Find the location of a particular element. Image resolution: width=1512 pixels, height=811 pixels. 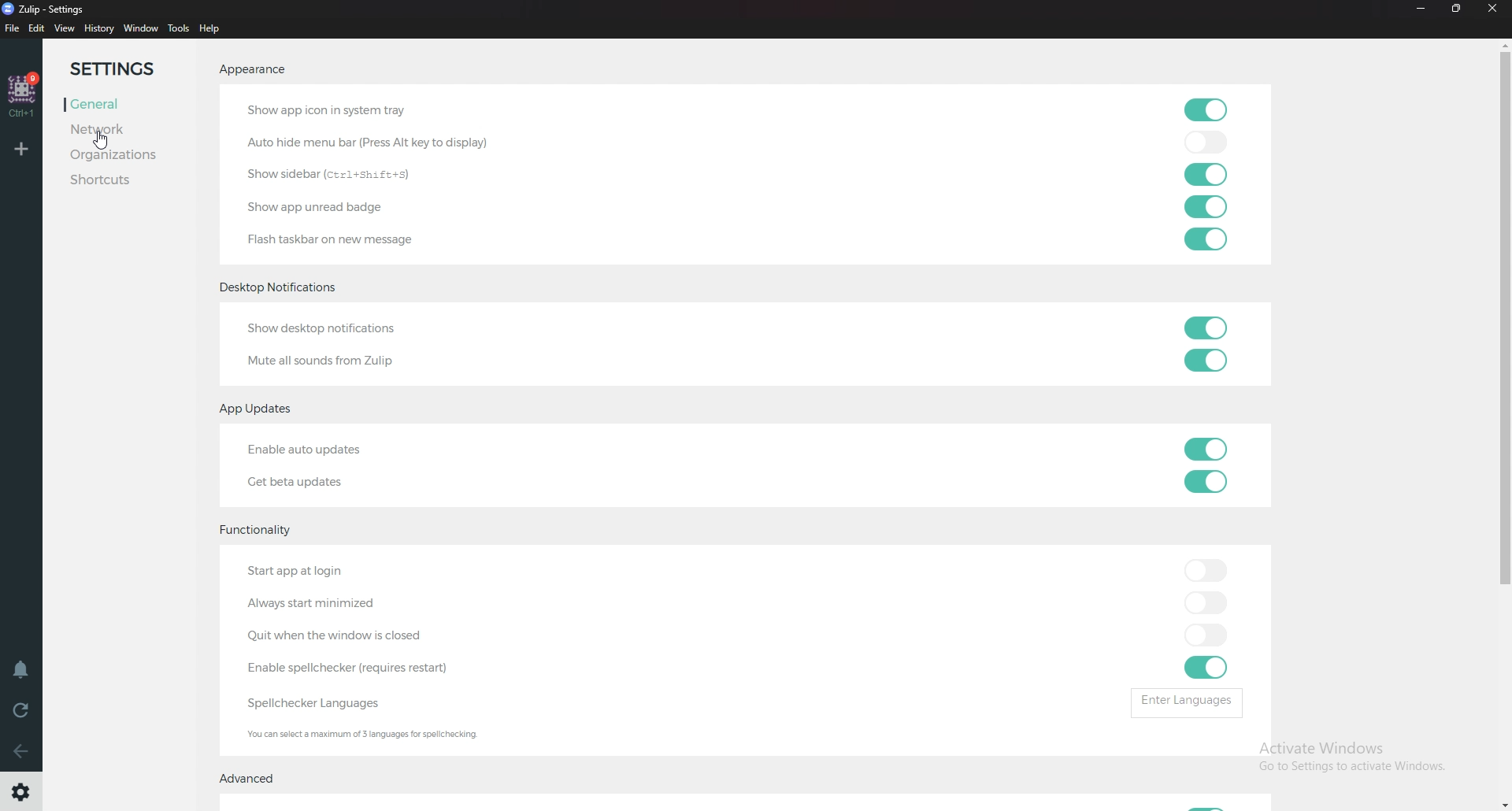

Appearance is located at coordinates (252, 69).